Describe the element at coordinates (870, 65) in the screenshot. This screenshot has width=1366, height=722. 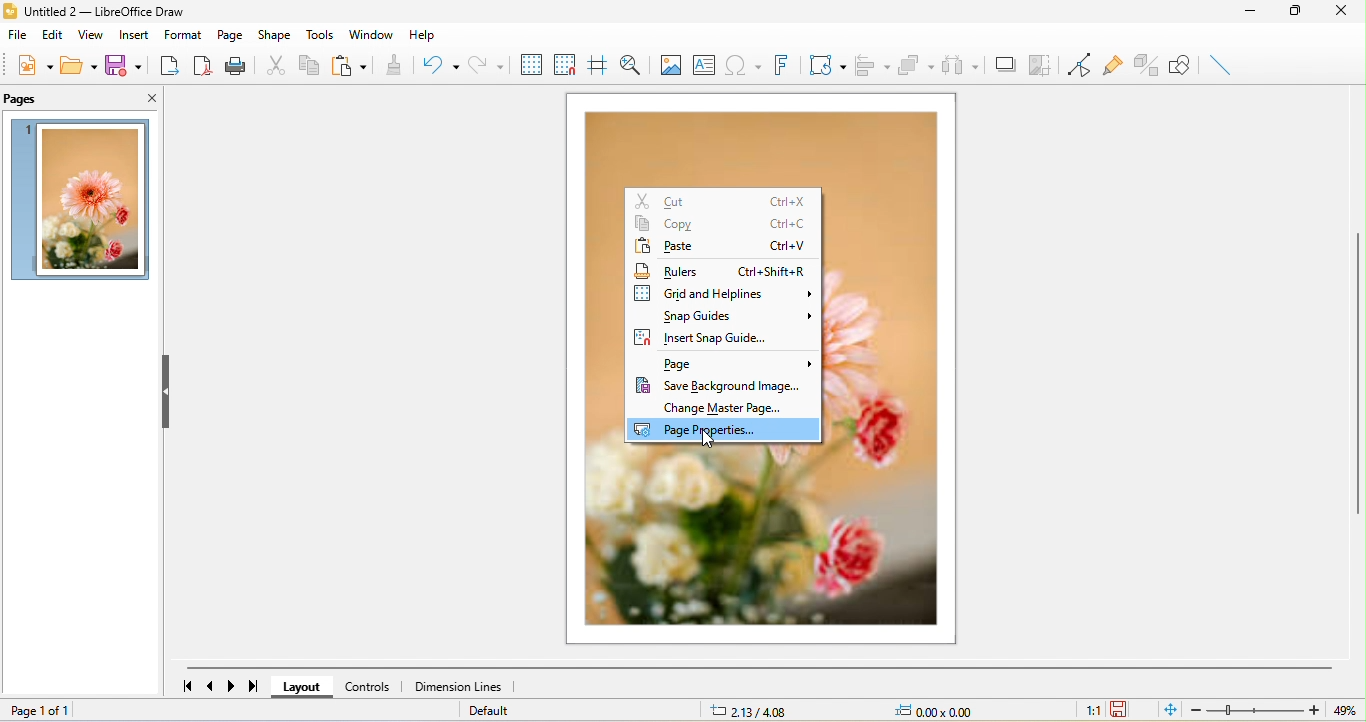
I see `align object` at that location.